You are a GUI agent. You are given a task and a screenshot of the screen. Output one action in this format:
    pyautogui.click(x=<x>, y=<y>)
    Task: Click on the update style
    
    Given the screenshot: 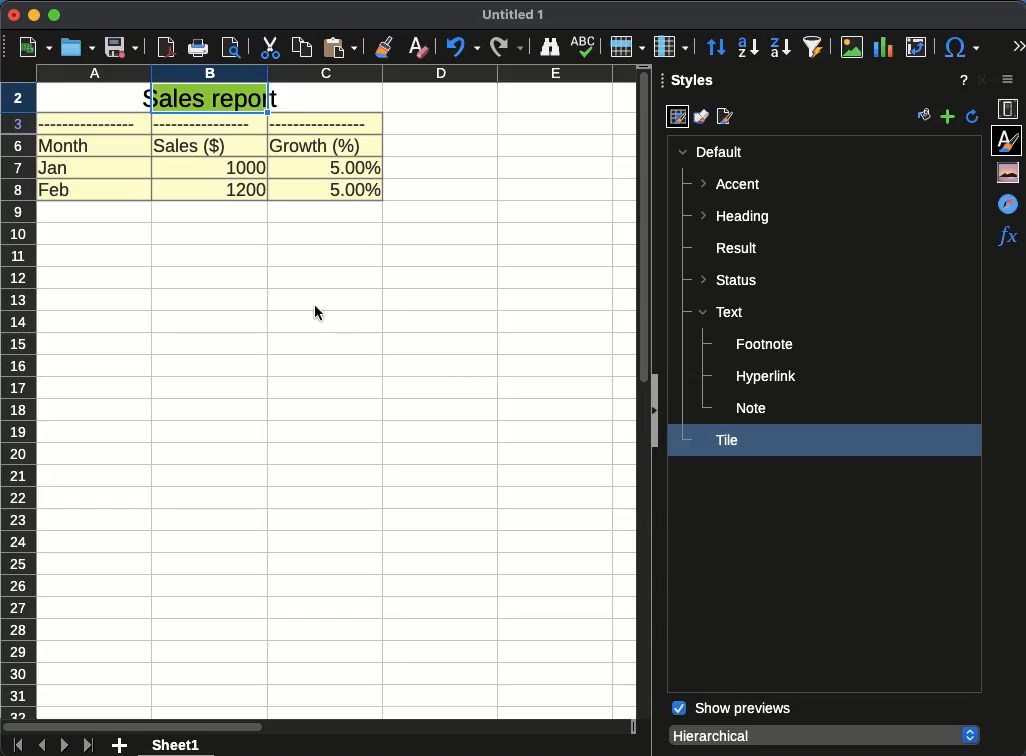 What is the action you would take?
    pyautogui.click(x=973, y=116)
    